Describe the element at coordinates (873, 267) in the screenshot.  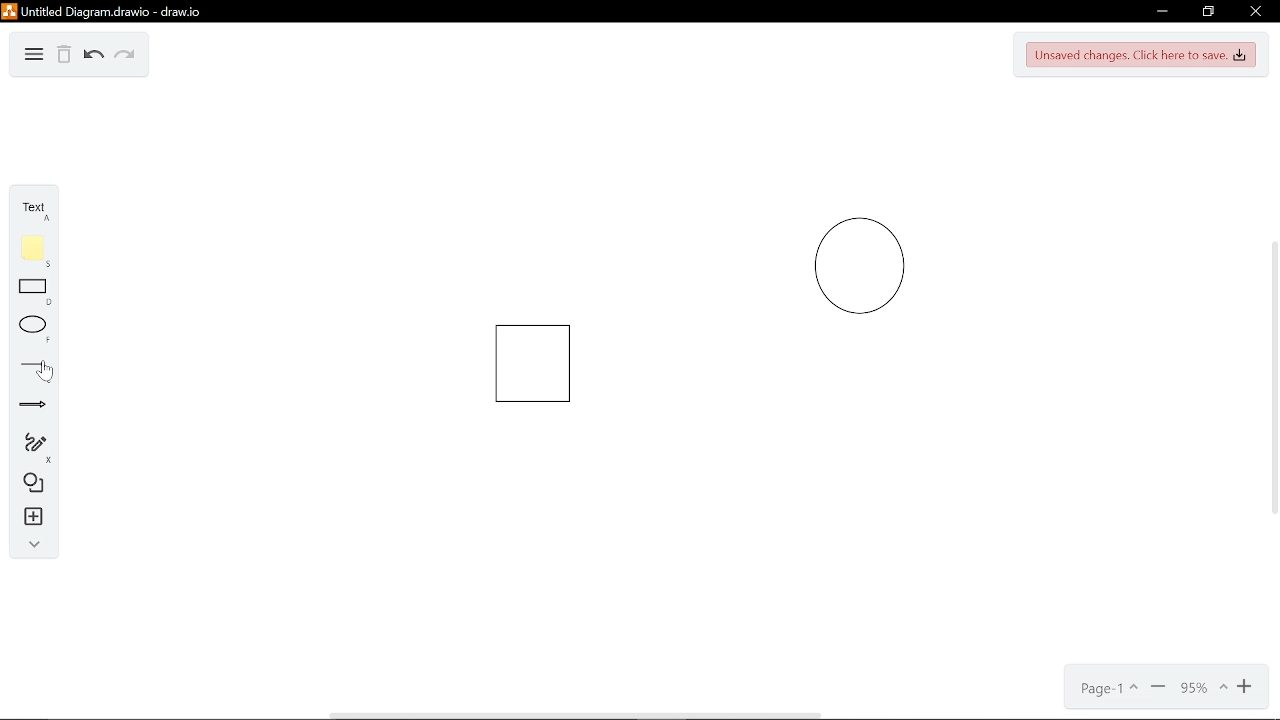
I see `Circle` at that location.